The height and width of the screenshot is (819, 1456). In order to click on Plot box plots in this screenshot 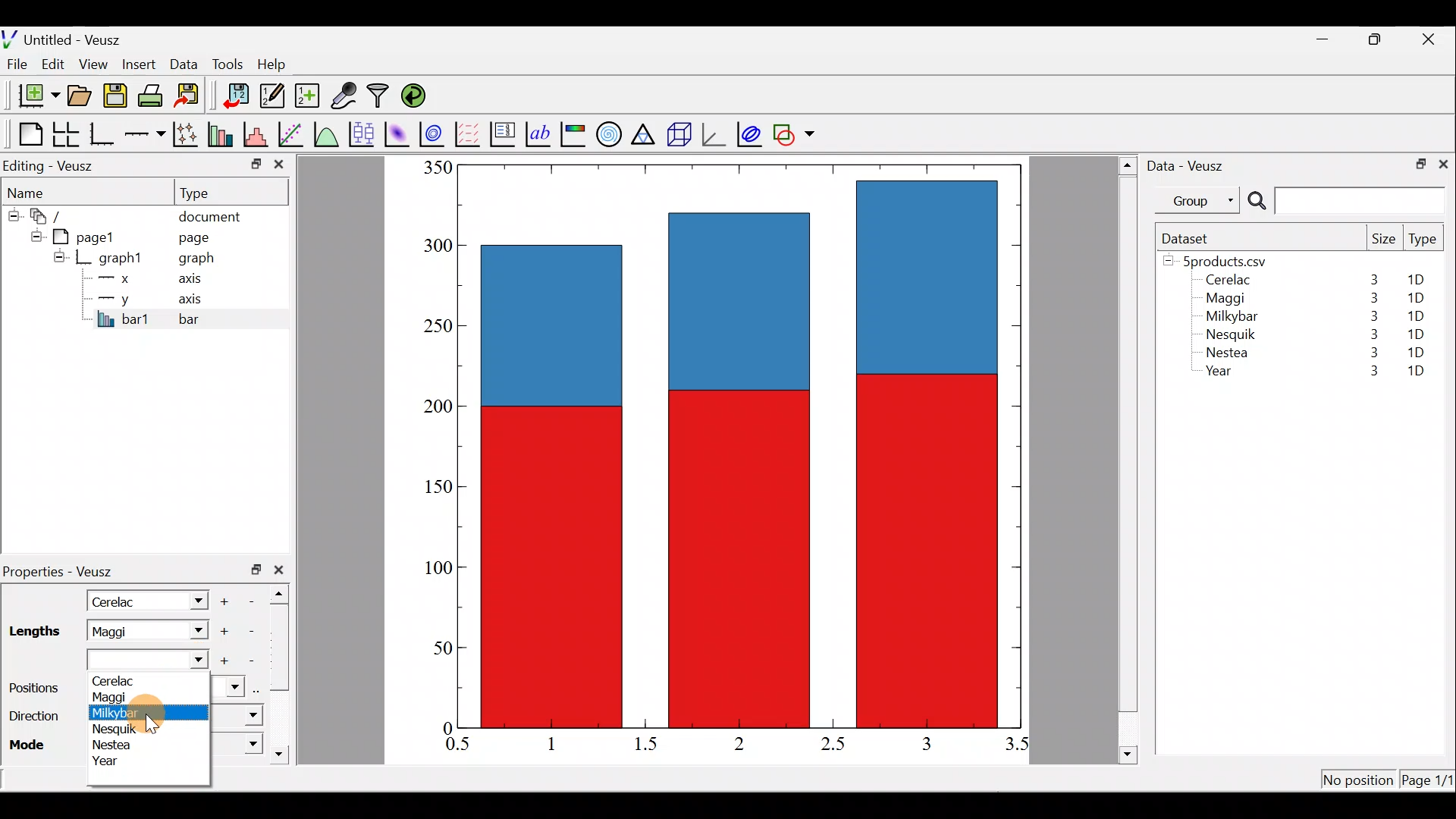, I will do `click(363, 133)`.